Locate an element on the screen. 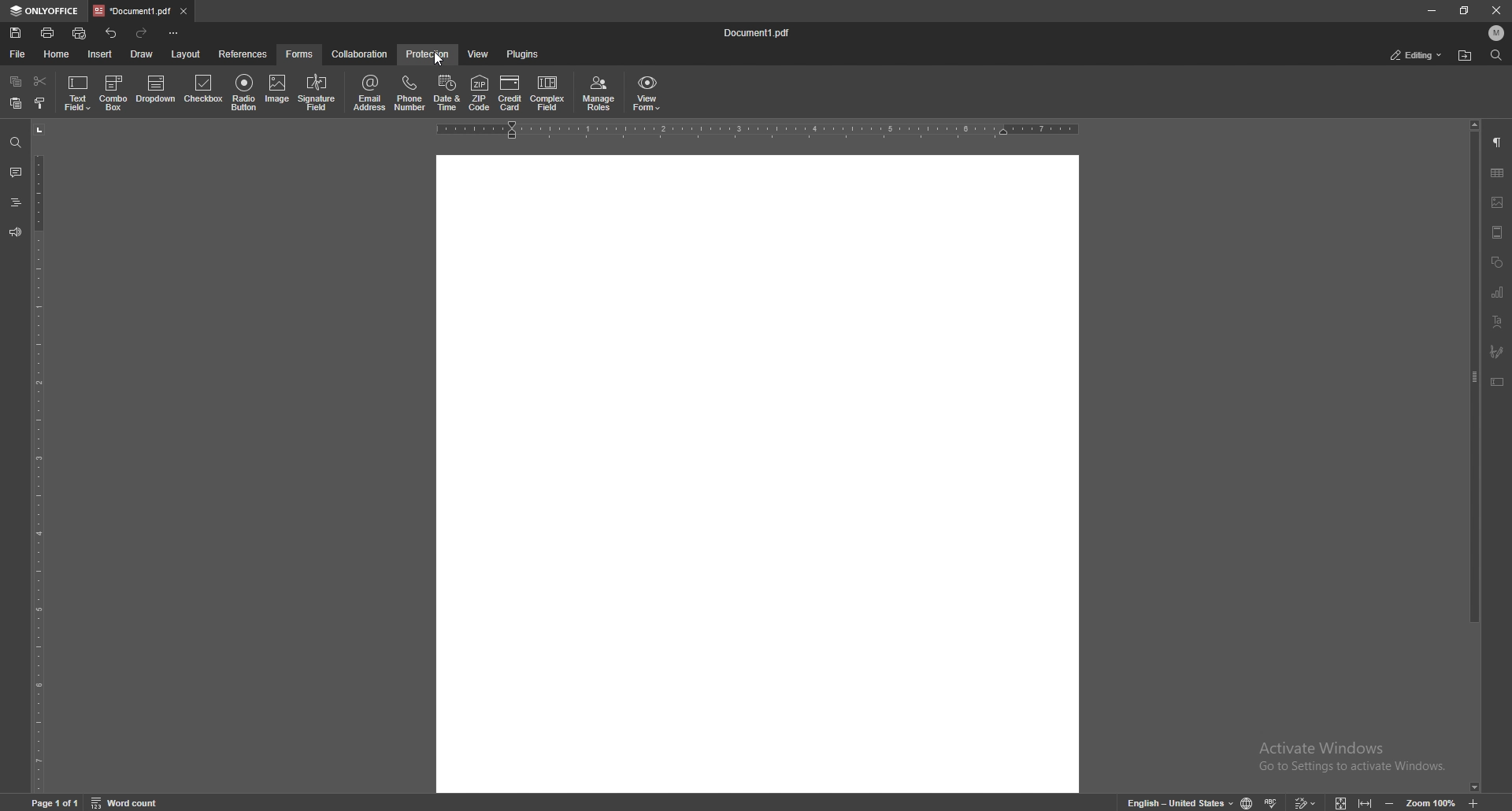 This screenshot has height=811, width=1512. chart is located at coordinates (1498, 293).